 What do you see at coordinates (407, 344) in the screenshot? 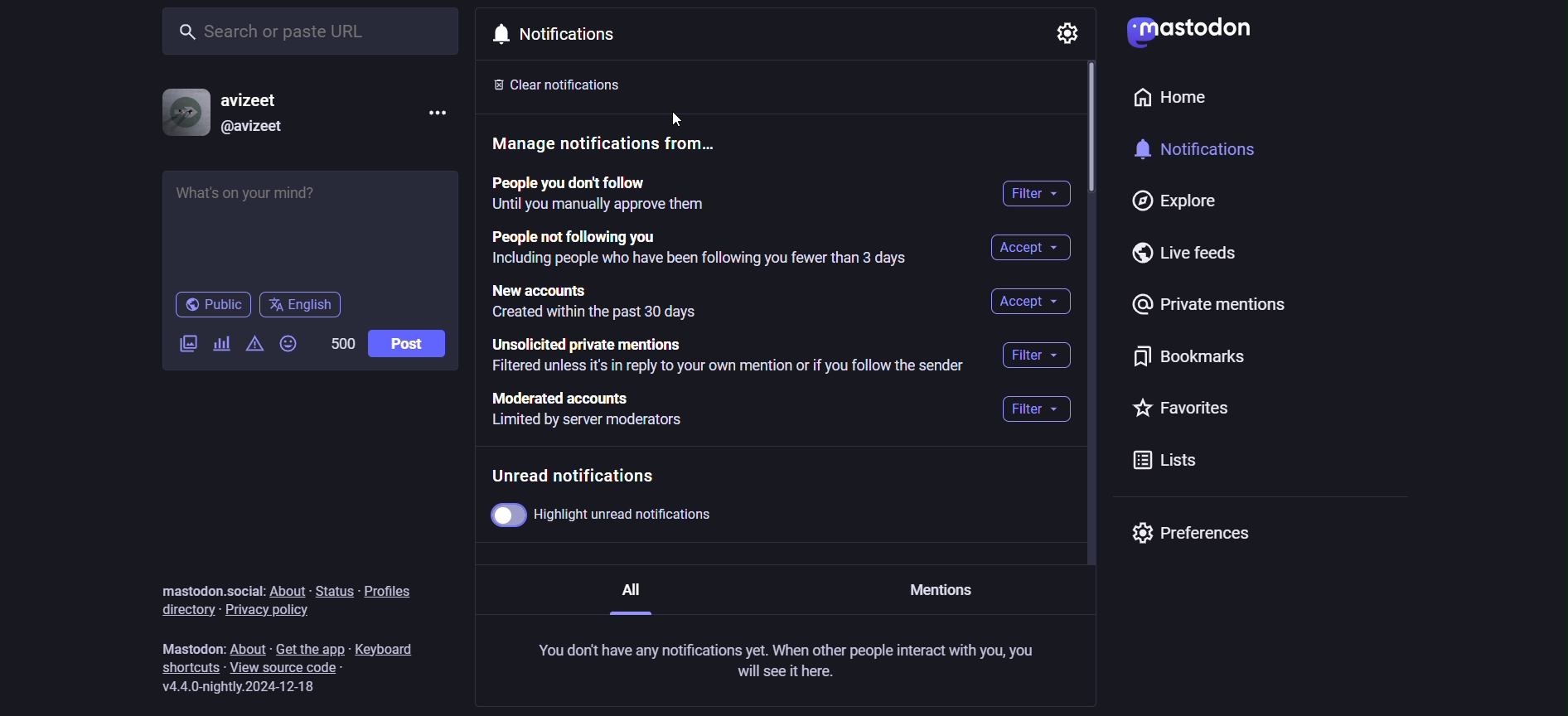
I see `post` at bounding box center [407, 344].